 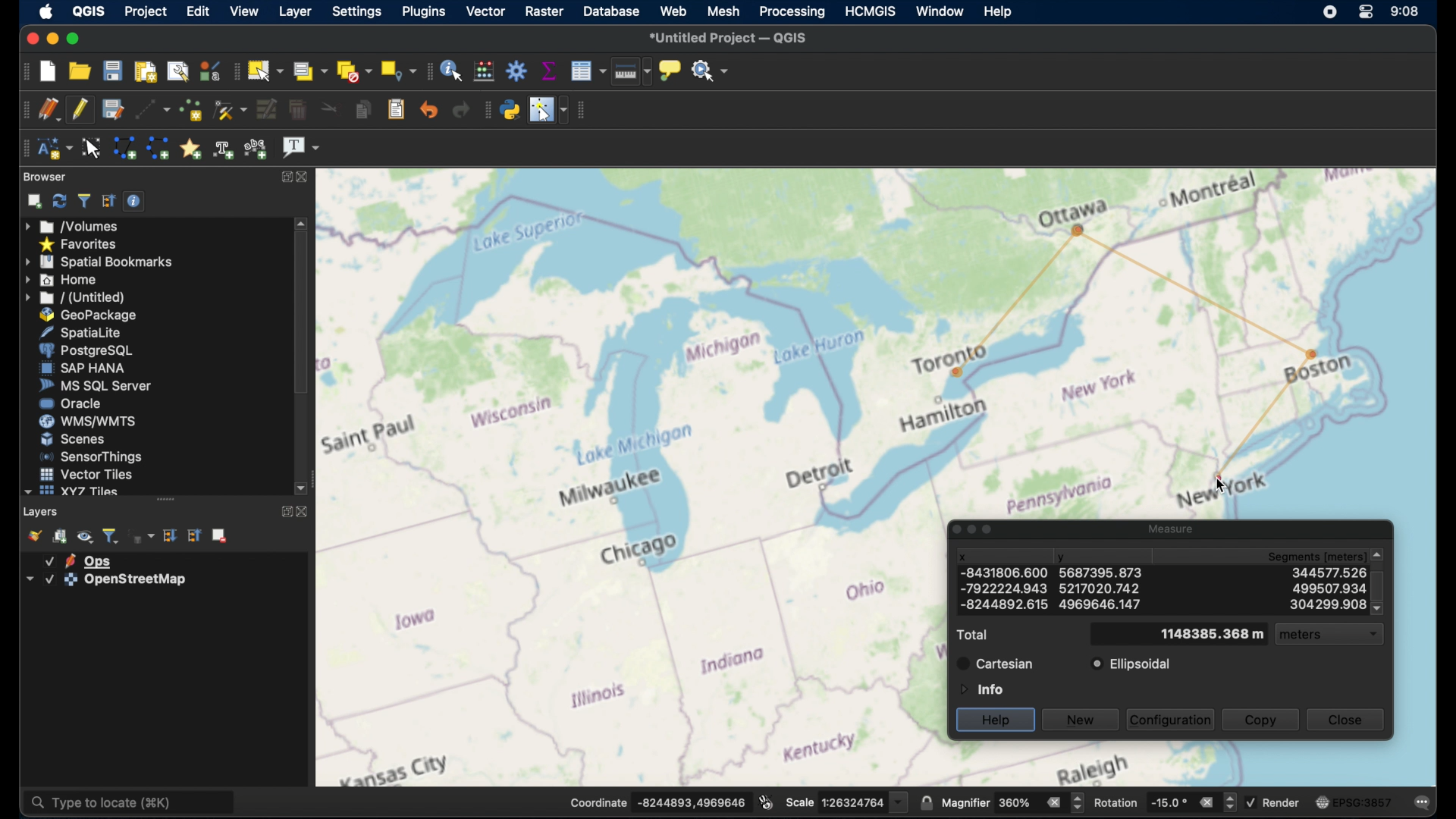 I want to click on layer, so click(x=79, y=560).